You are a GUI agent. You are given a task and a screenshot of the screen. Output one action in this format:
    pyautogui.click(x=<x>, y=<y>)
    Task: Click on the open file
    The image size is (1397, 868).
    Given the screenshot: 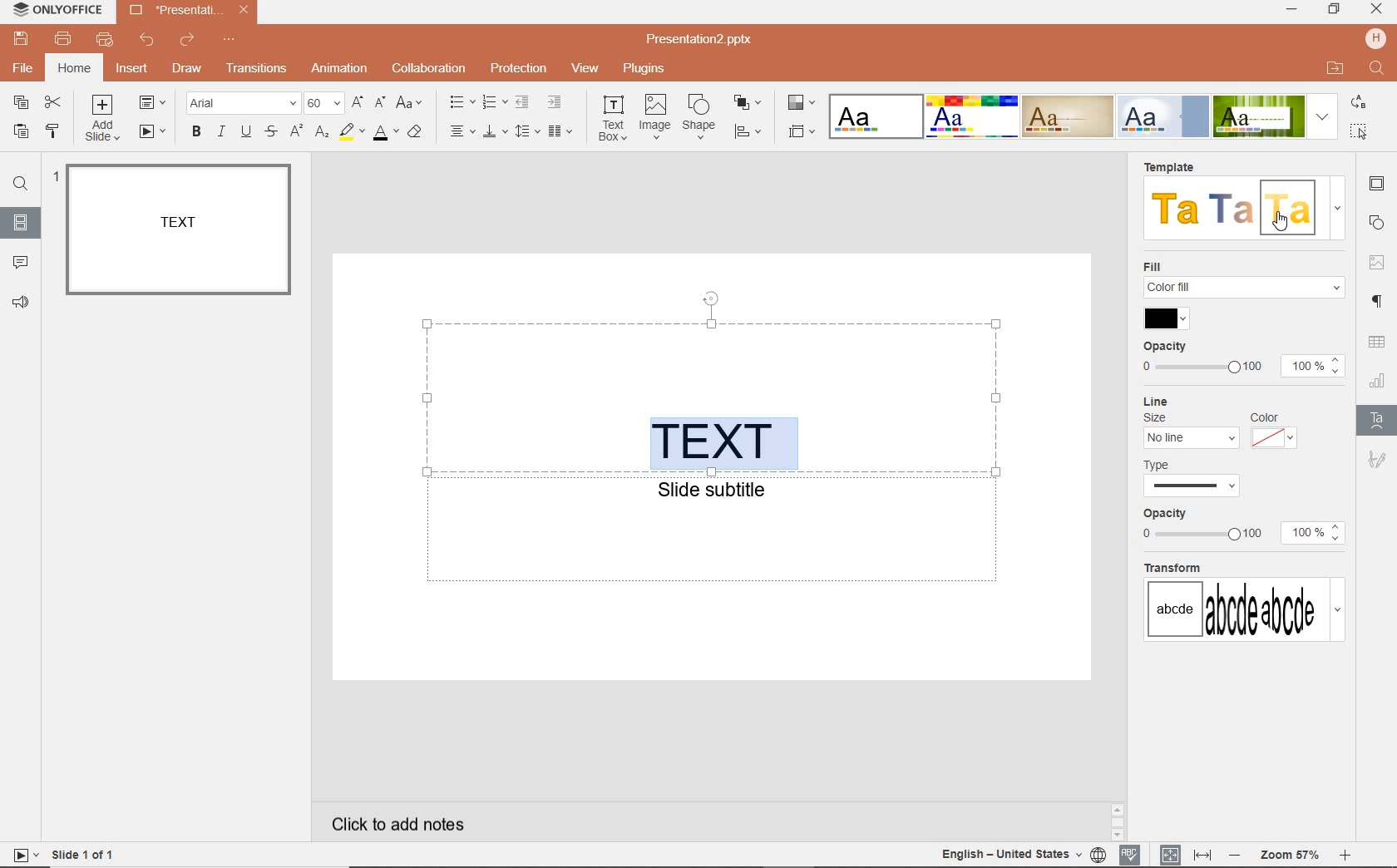 What is the action you would take?
    pyautogui.click(x=1335, y=68)
    